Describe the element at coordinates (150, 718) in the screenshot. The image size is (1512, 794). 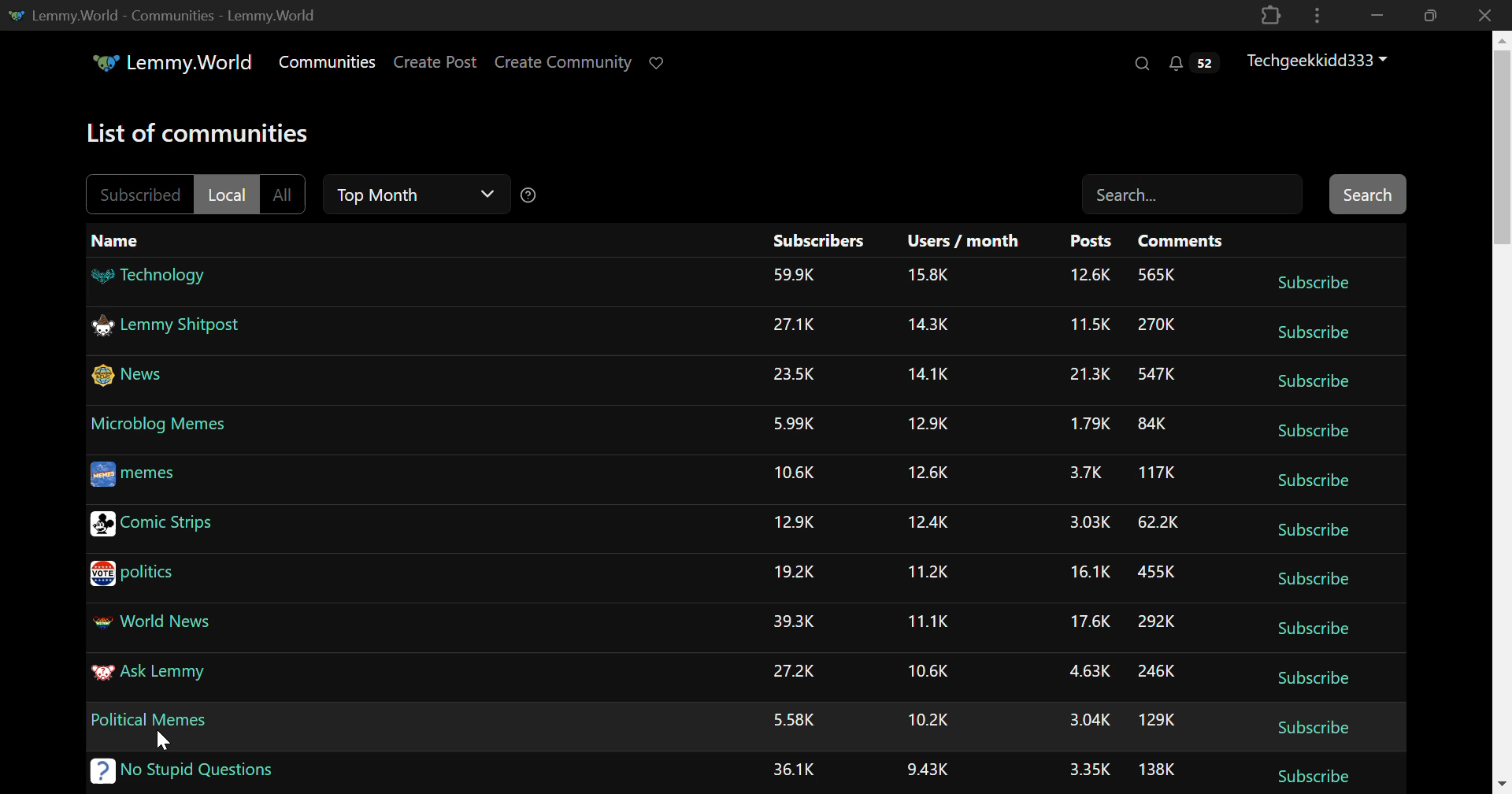
I see `Political Memes` at that location.